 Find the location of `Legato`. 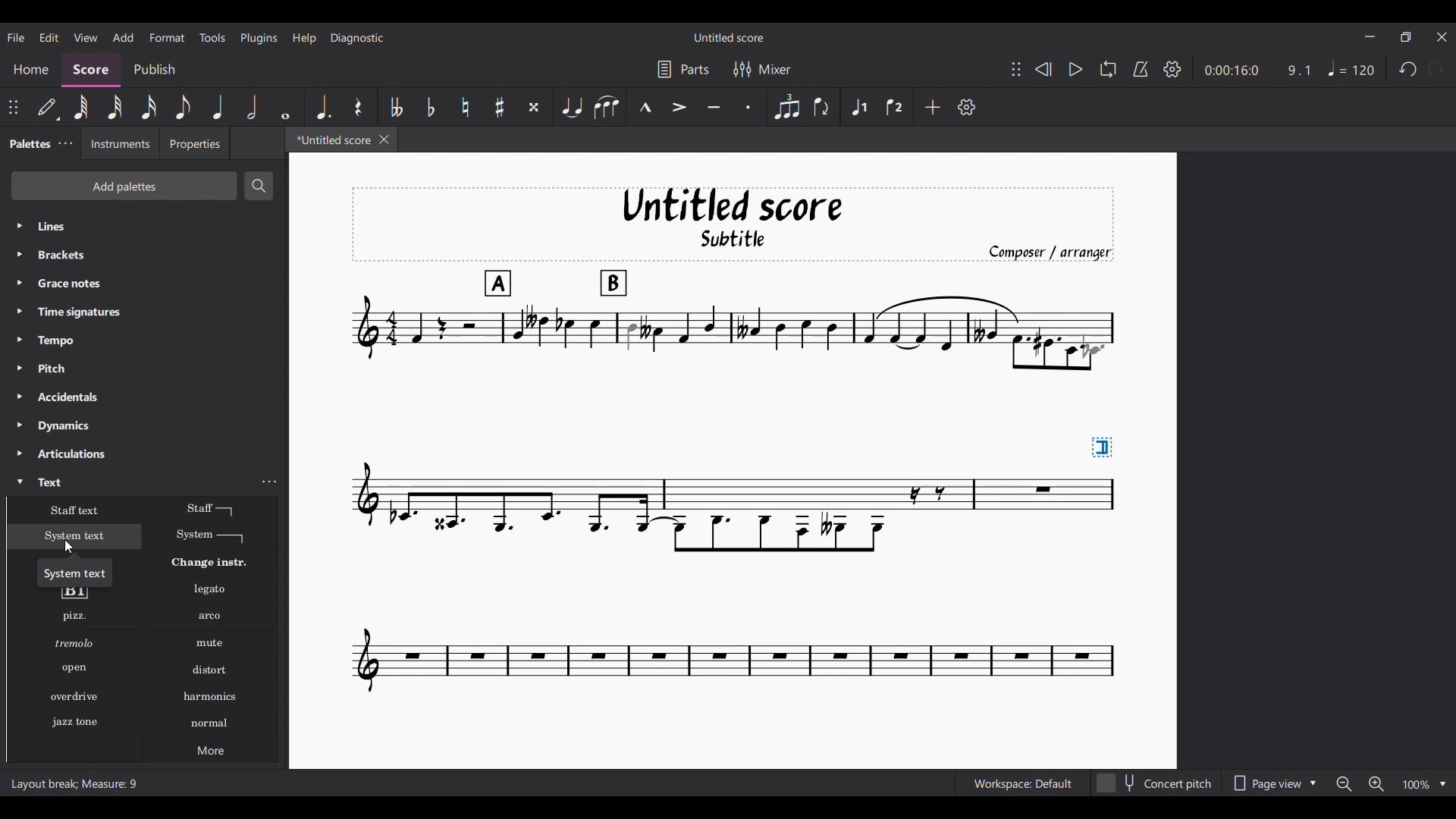

Legato is located at coordinates (210, 590).